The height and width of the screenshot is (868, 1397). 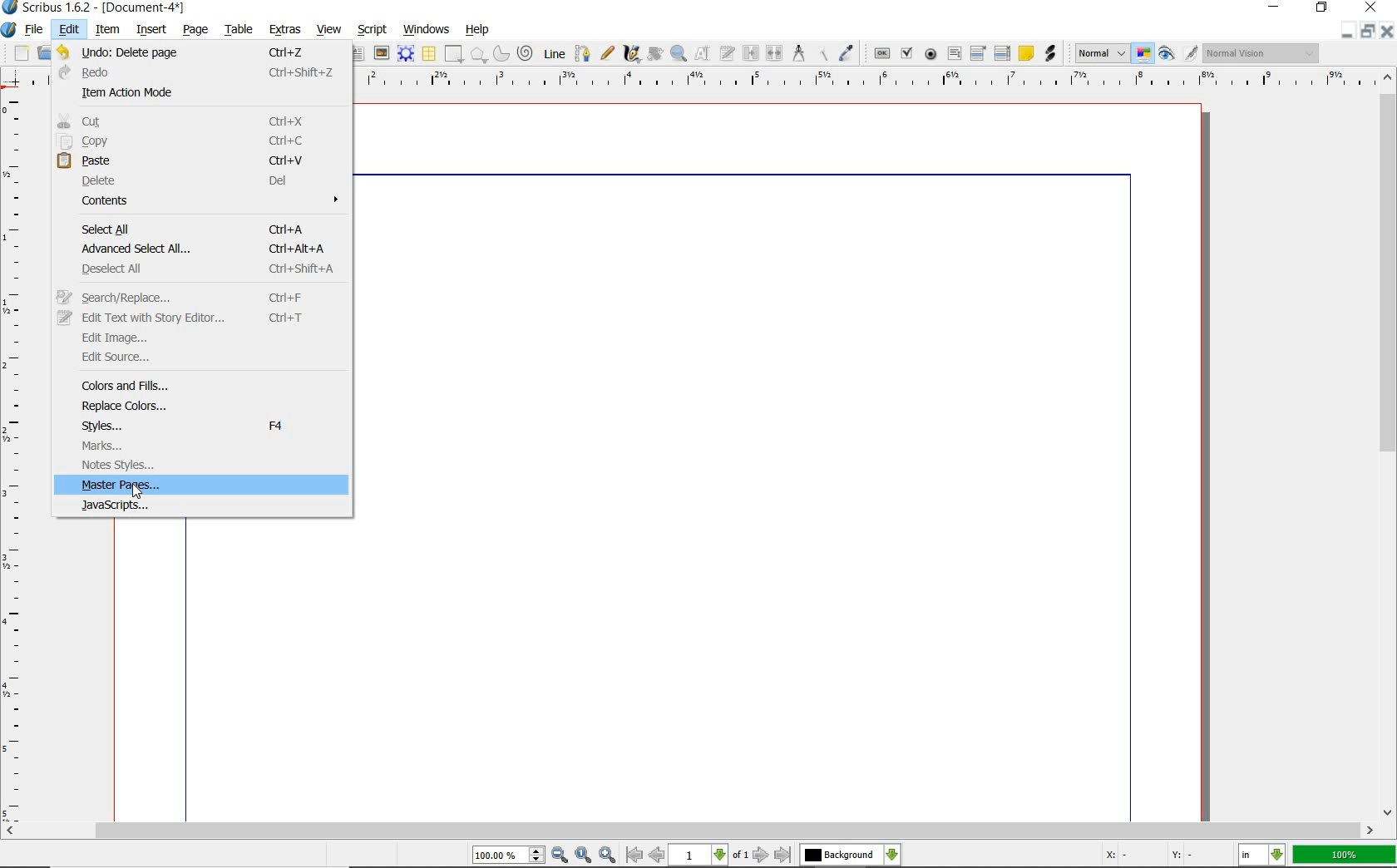 What do you see at coordinates (979, 52) in the screenshot?
I see `pdf combo box` at bounding box center [979, 52].